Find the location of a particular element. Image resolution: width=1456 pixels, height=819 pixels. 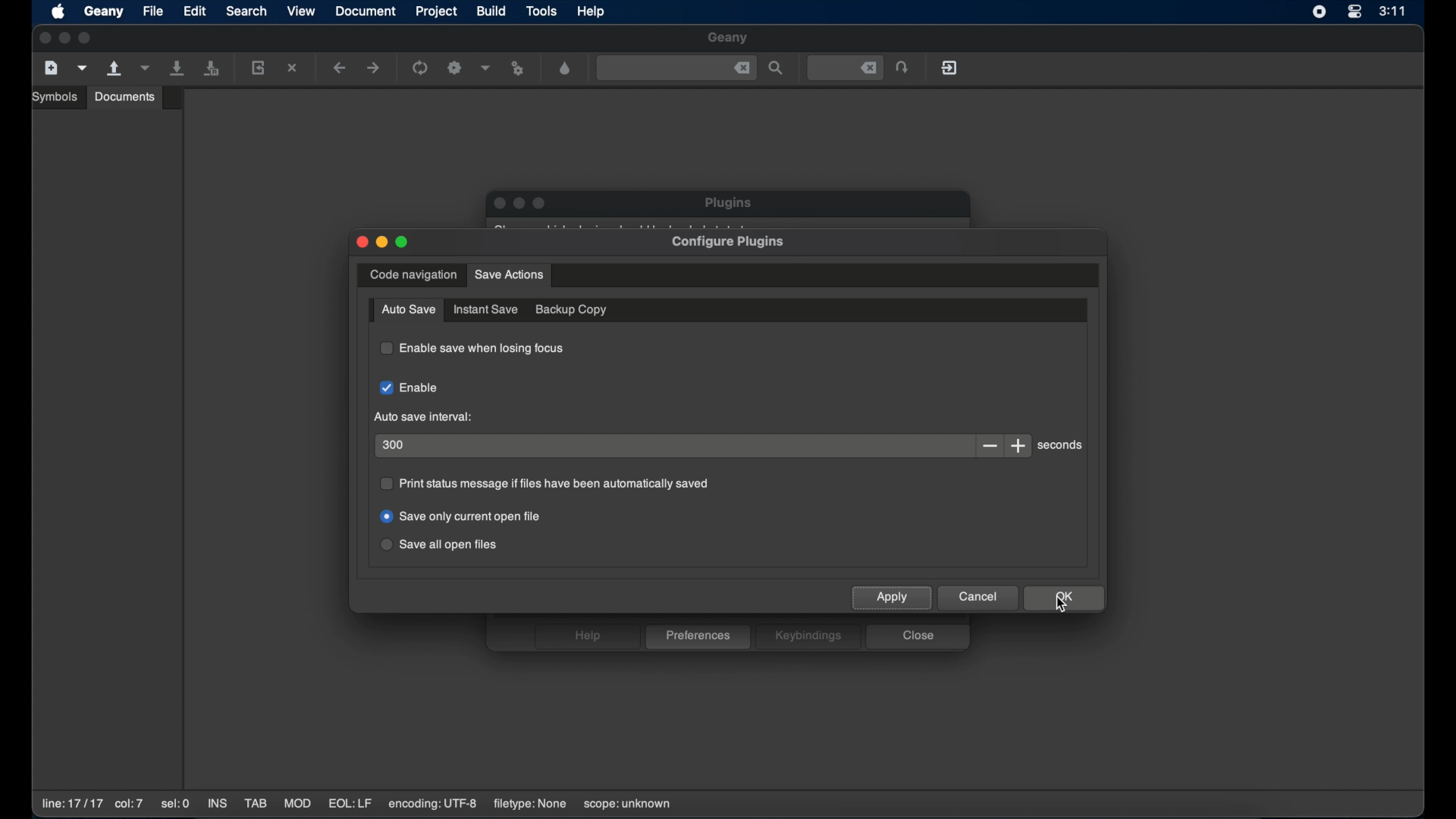

3:11 is located at coordinates (1393, 11).